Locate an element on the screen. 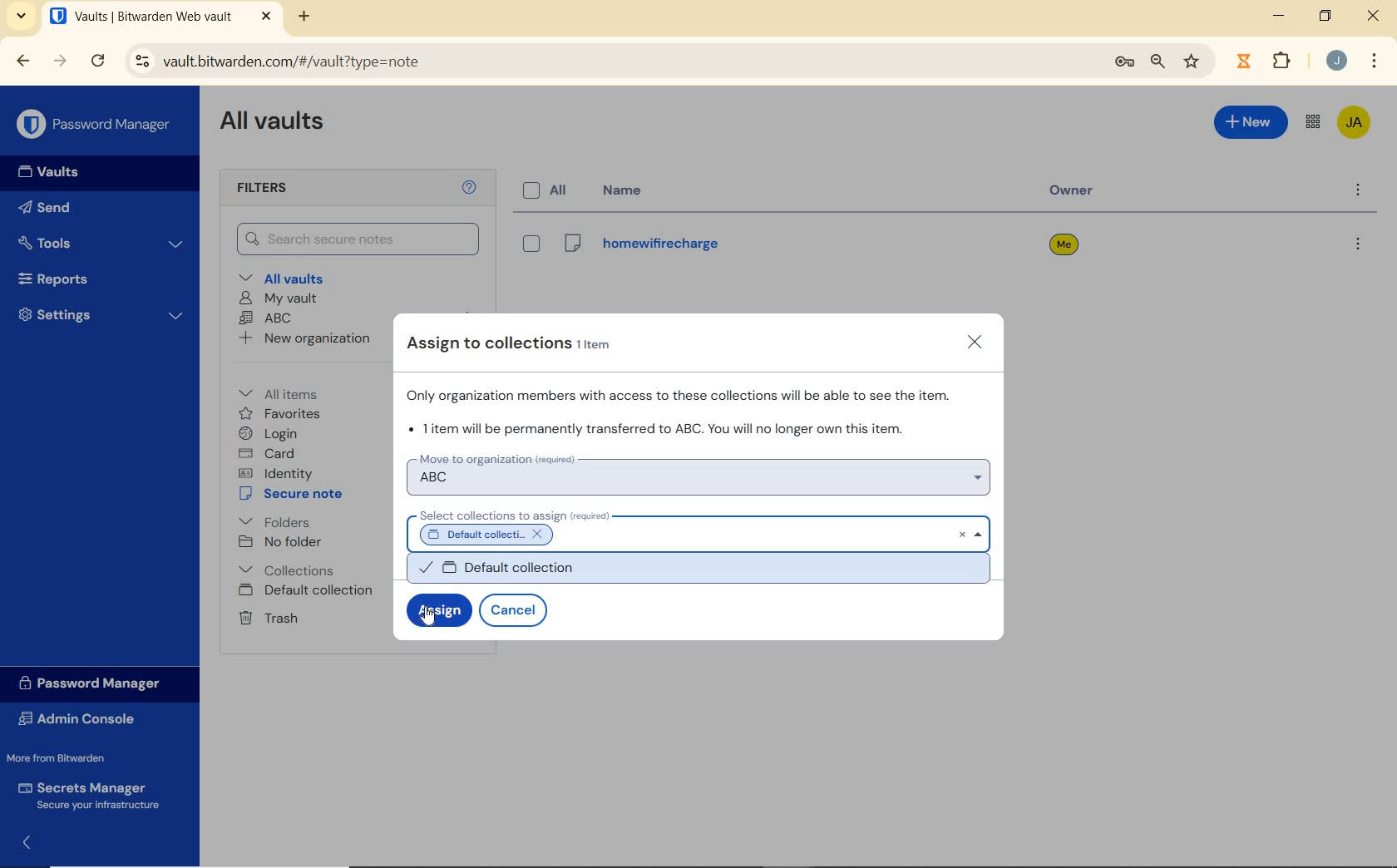 This screenshot has height=868, width=1397. Tools is located at coordinates (102, 242).